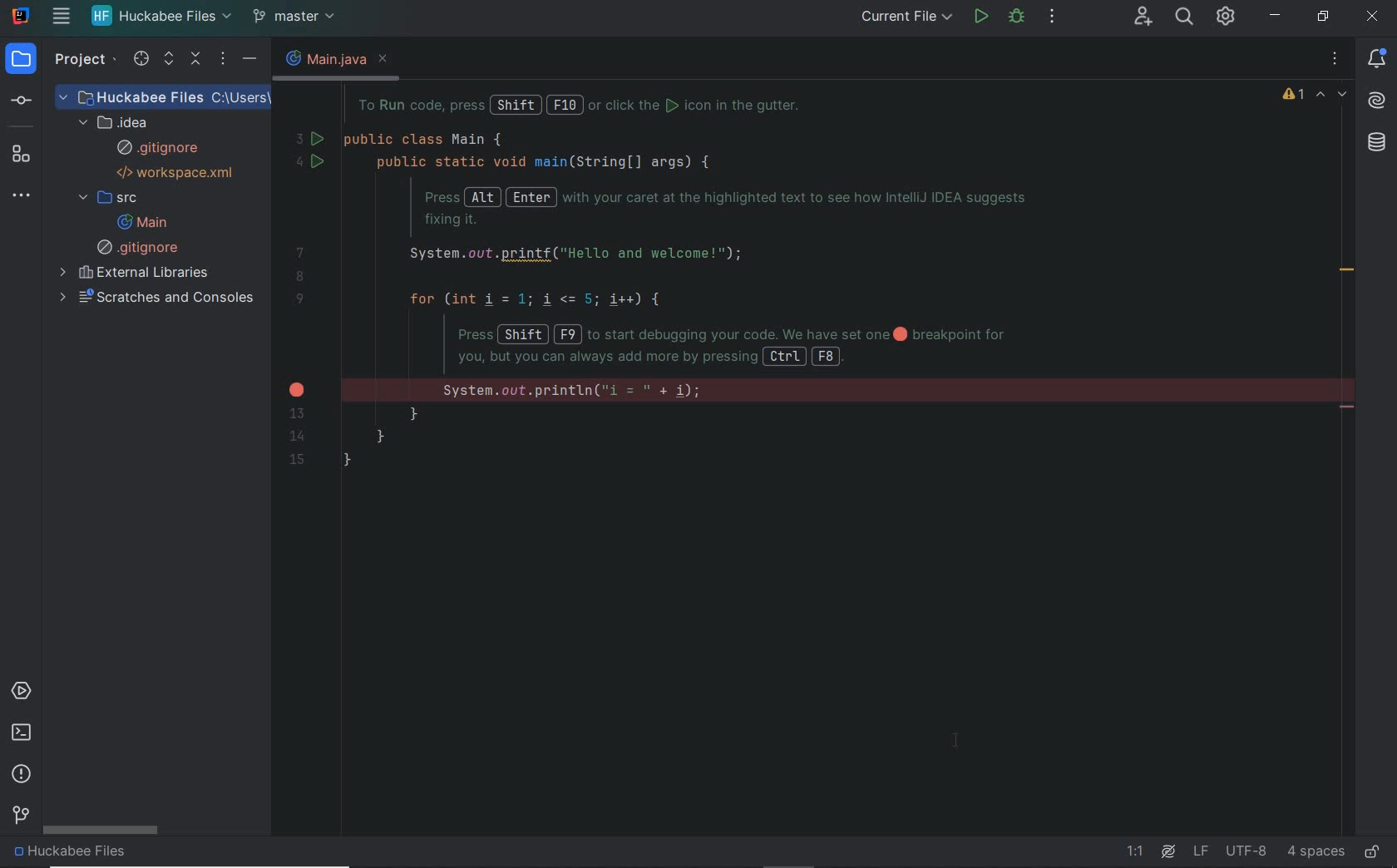  What do you see at coordinates (141, 222) in the screenshot?
I see `main` at bounding box center [141, 222].